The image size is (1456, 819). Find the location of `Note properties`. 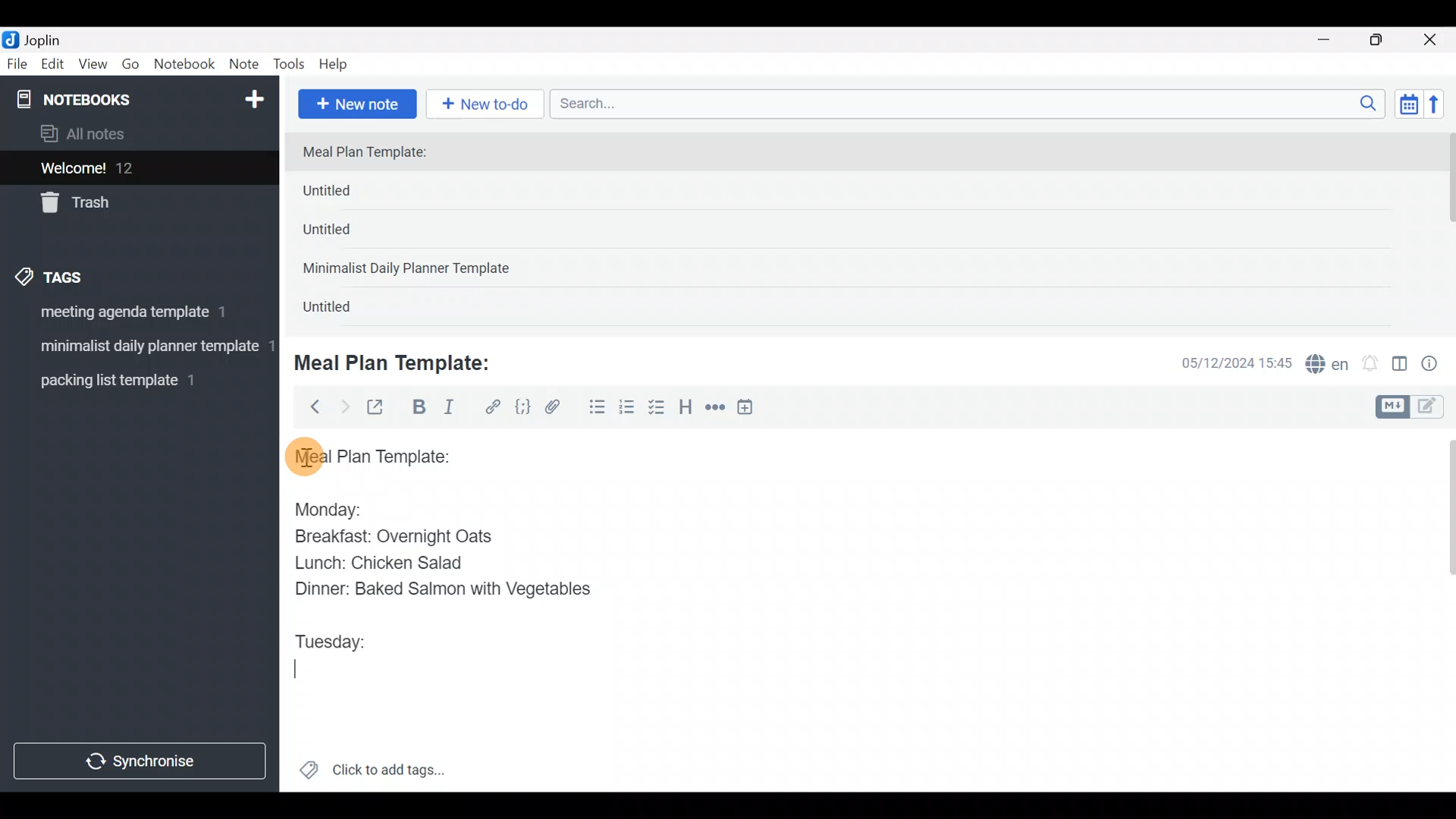

Note properties is located at coordinates (1436, 365).